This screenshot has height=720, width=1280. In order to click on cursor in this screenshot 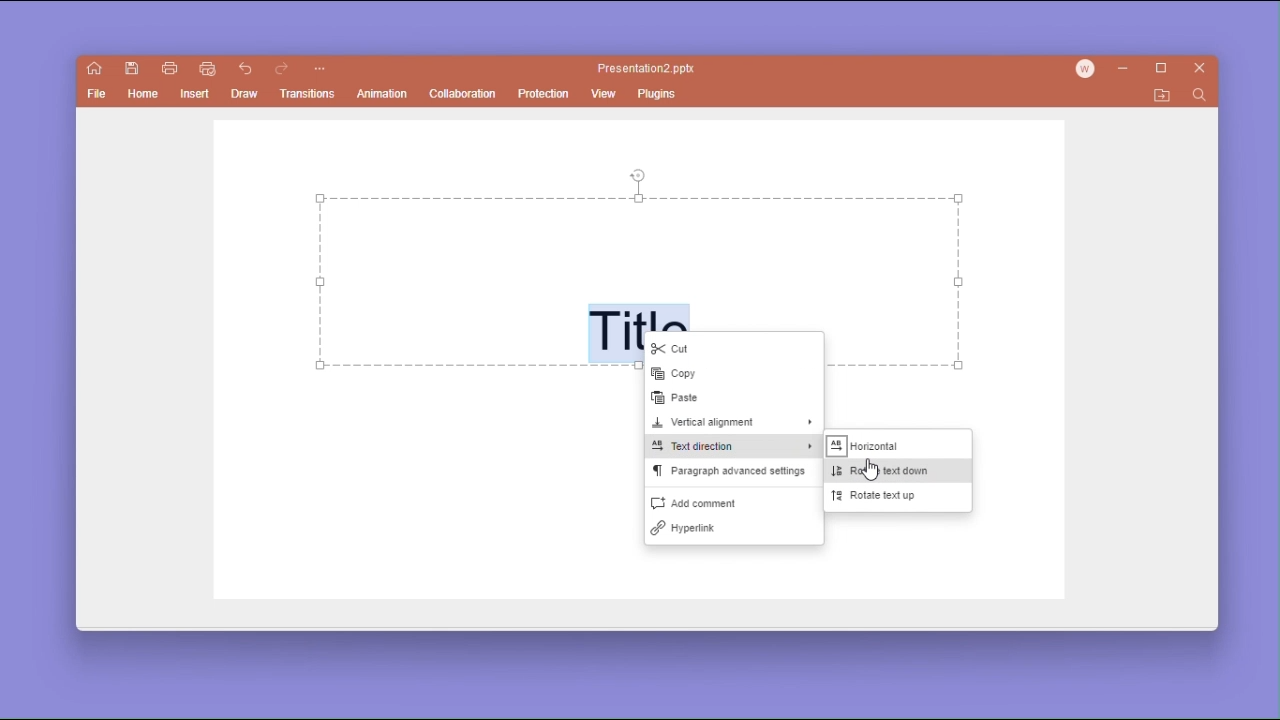, I will do `click(871, 470)`.